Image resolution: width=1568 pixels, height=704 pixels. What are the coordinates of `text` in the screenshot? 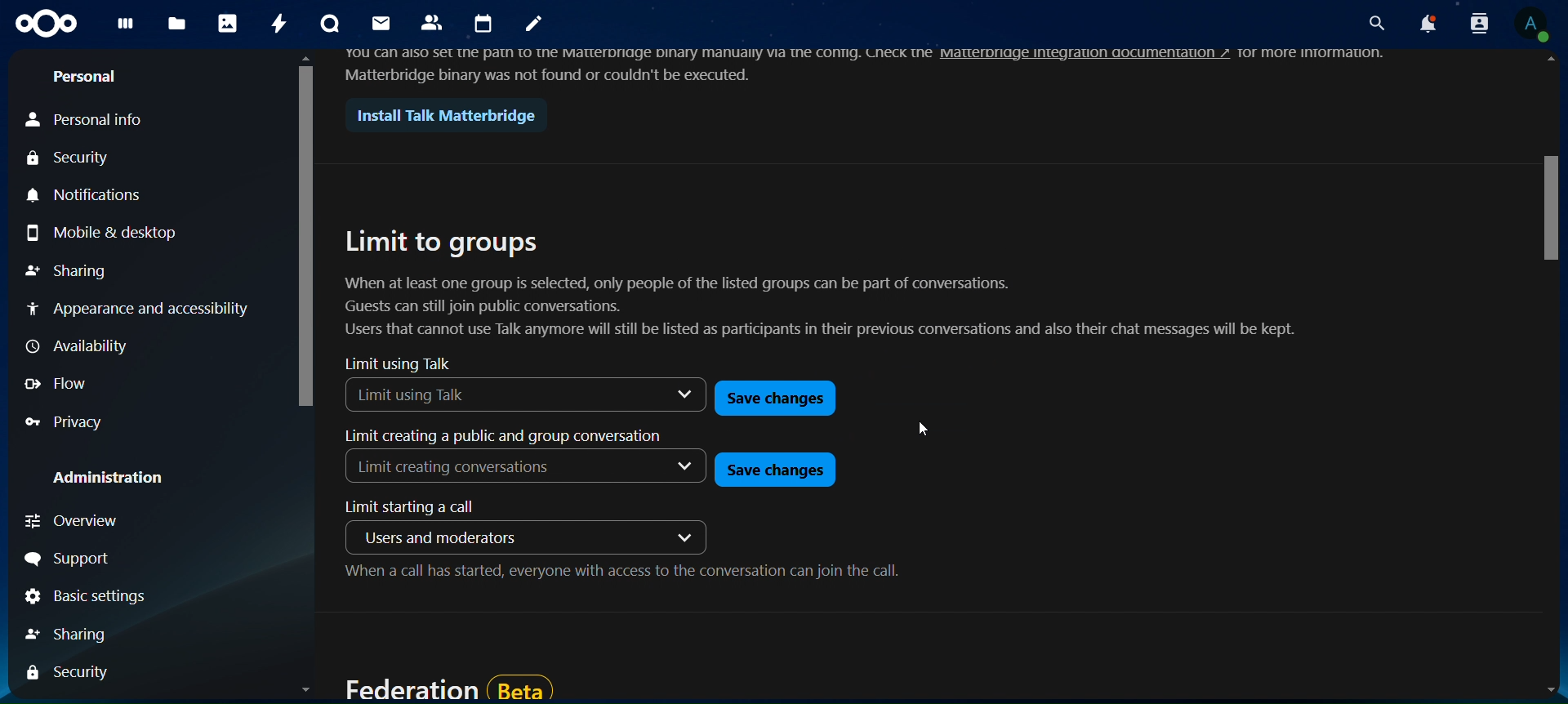 It's located at (1318, 51).